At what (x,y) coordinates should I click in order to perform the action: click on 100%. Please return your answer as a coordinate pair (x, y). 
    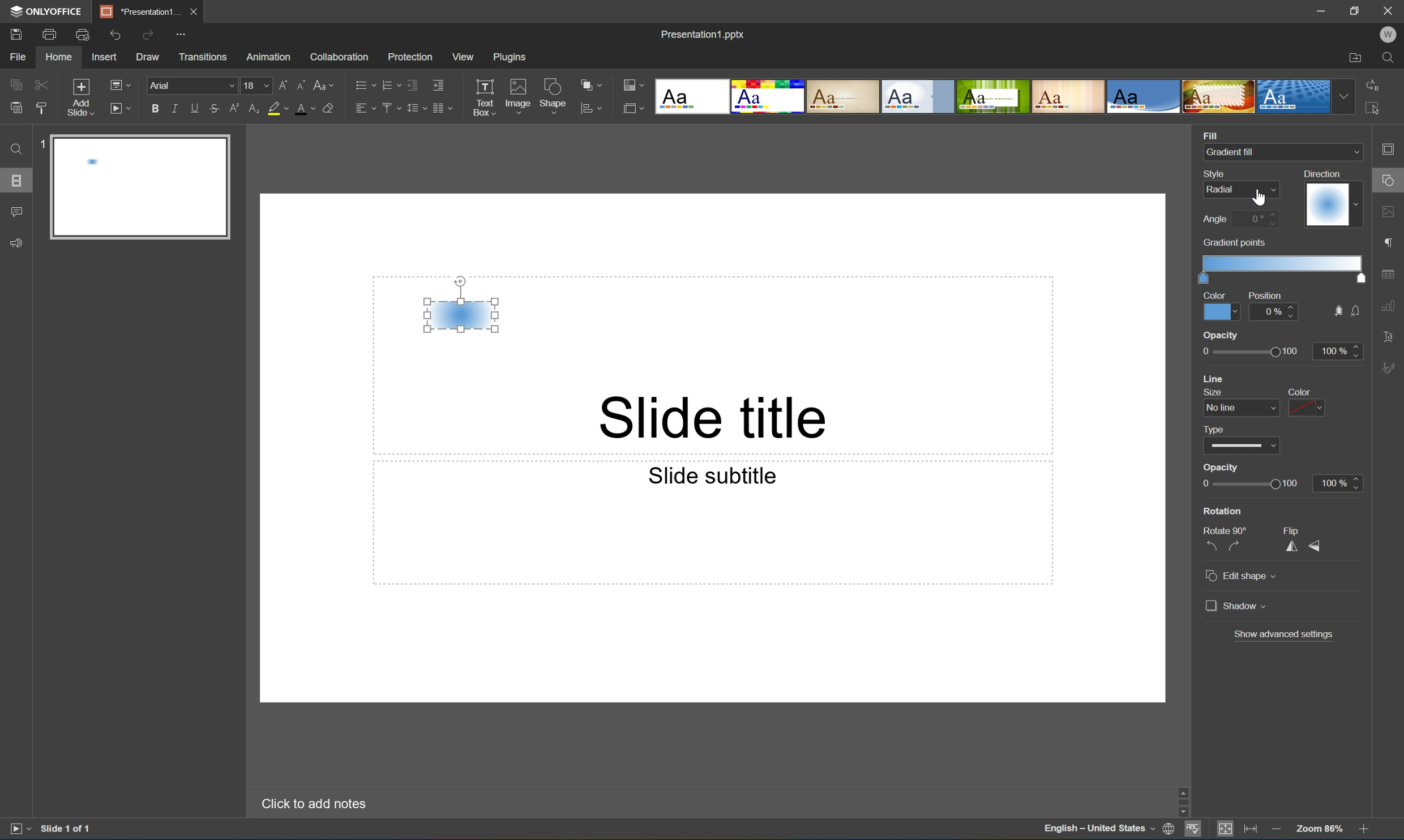
    Looking at the image, I should click on (1338, 482).